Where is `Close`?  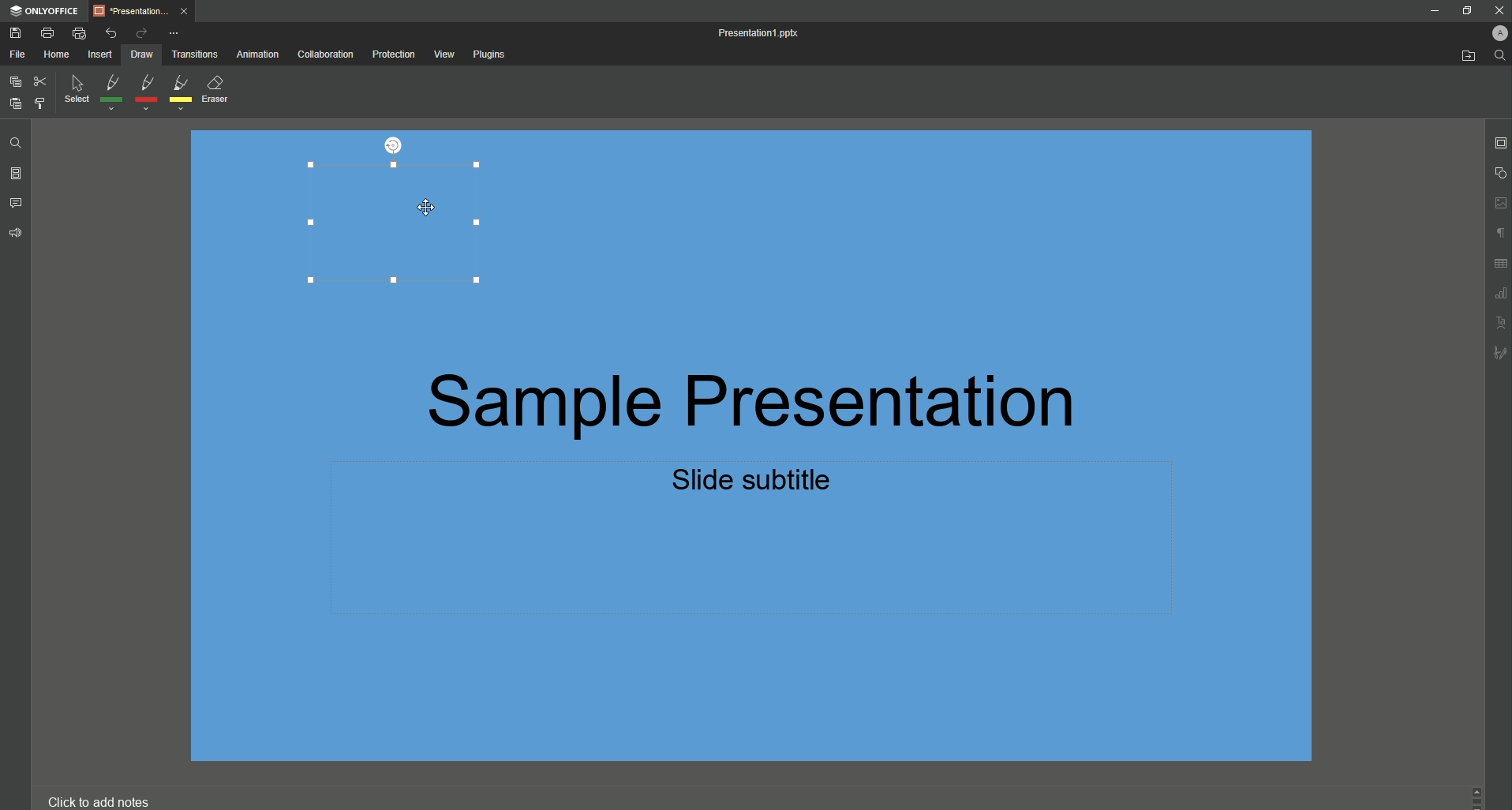
Close is located at coordinates (1495, 10).